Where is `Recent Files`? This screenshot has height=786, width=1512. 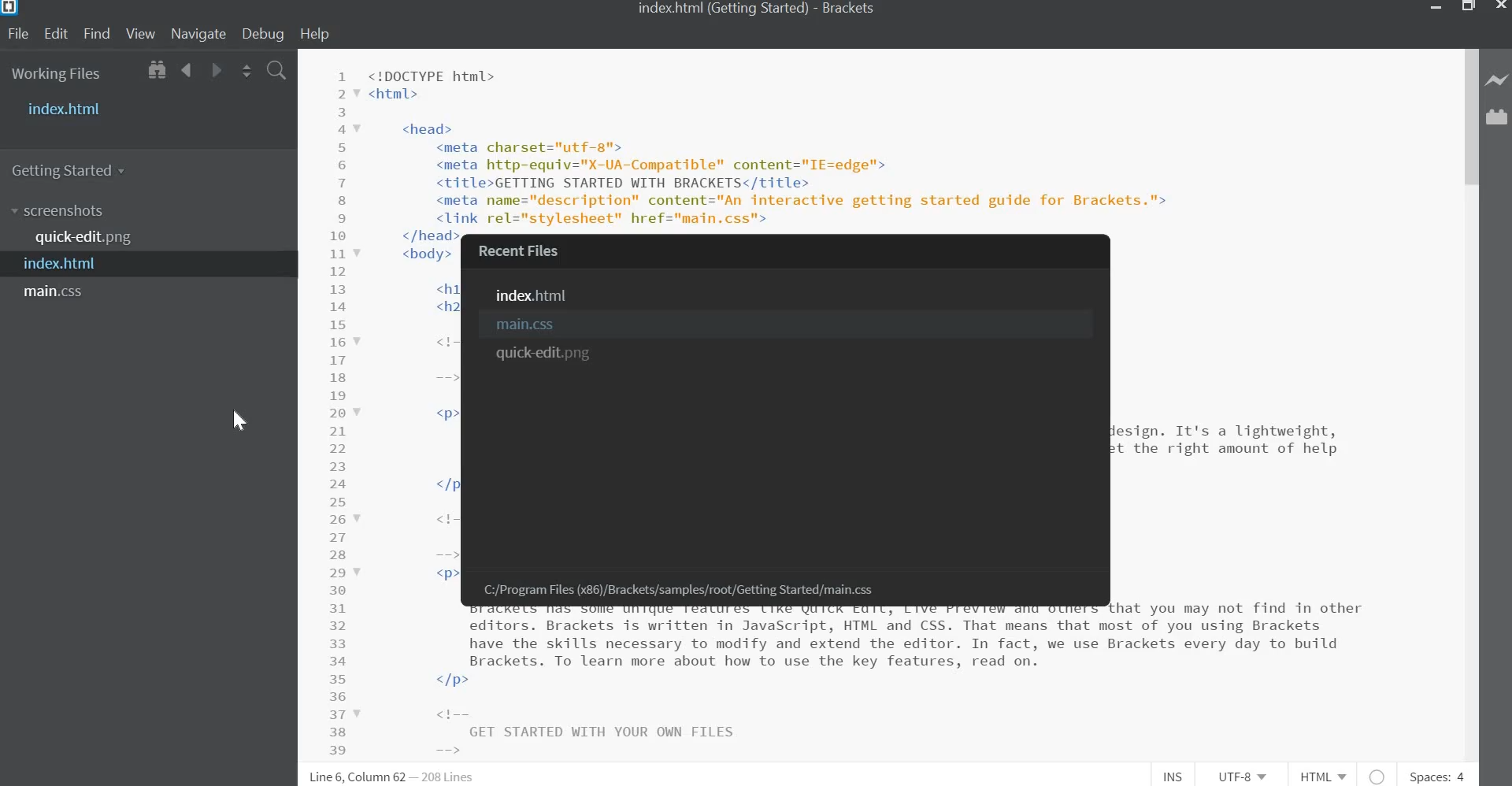
Recent Files is located at coordinates (528, 251).